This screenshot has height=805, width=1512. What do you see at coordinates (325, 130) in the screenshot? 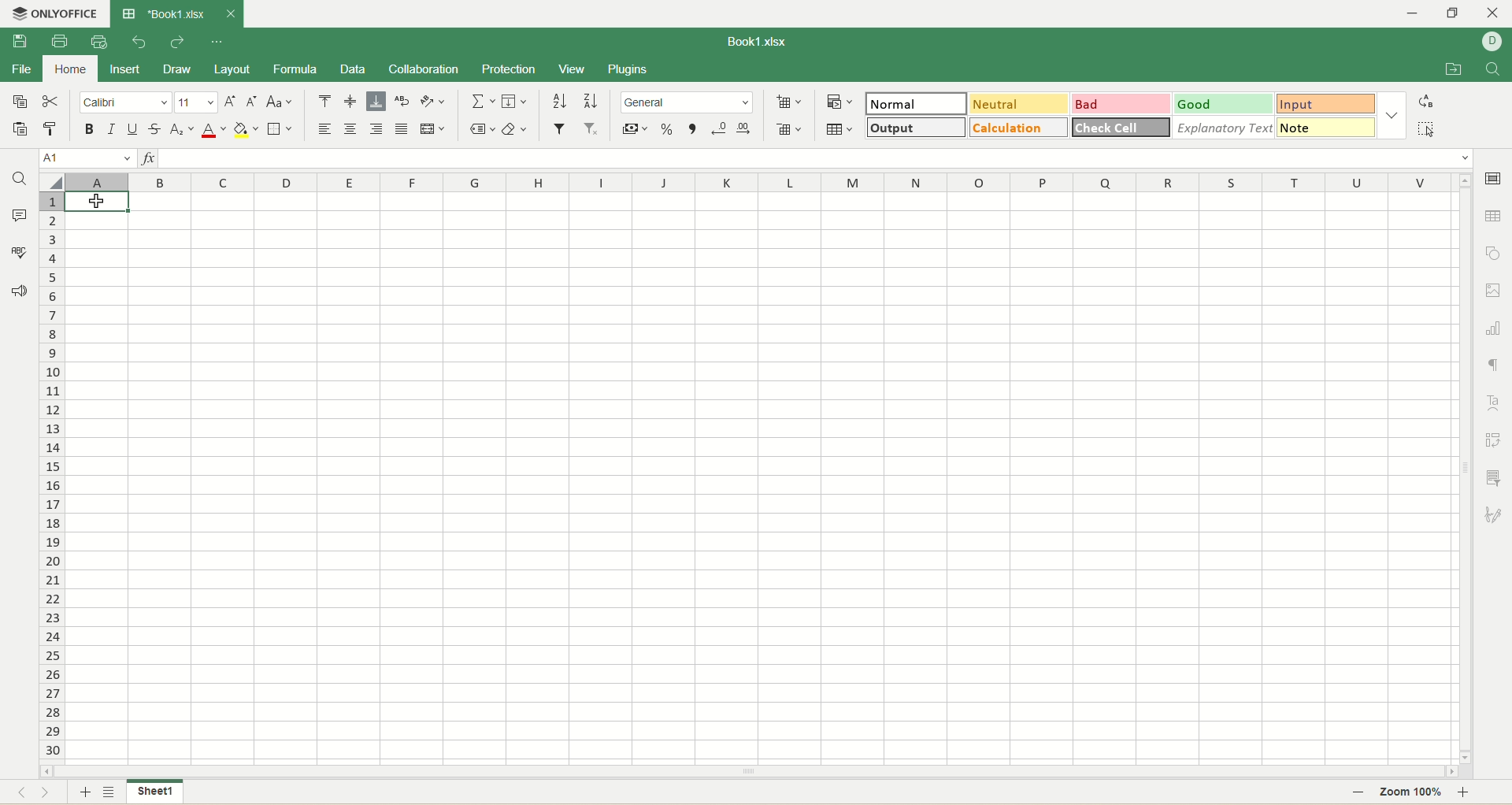
I see `align left` at bounding box center [325, 130].